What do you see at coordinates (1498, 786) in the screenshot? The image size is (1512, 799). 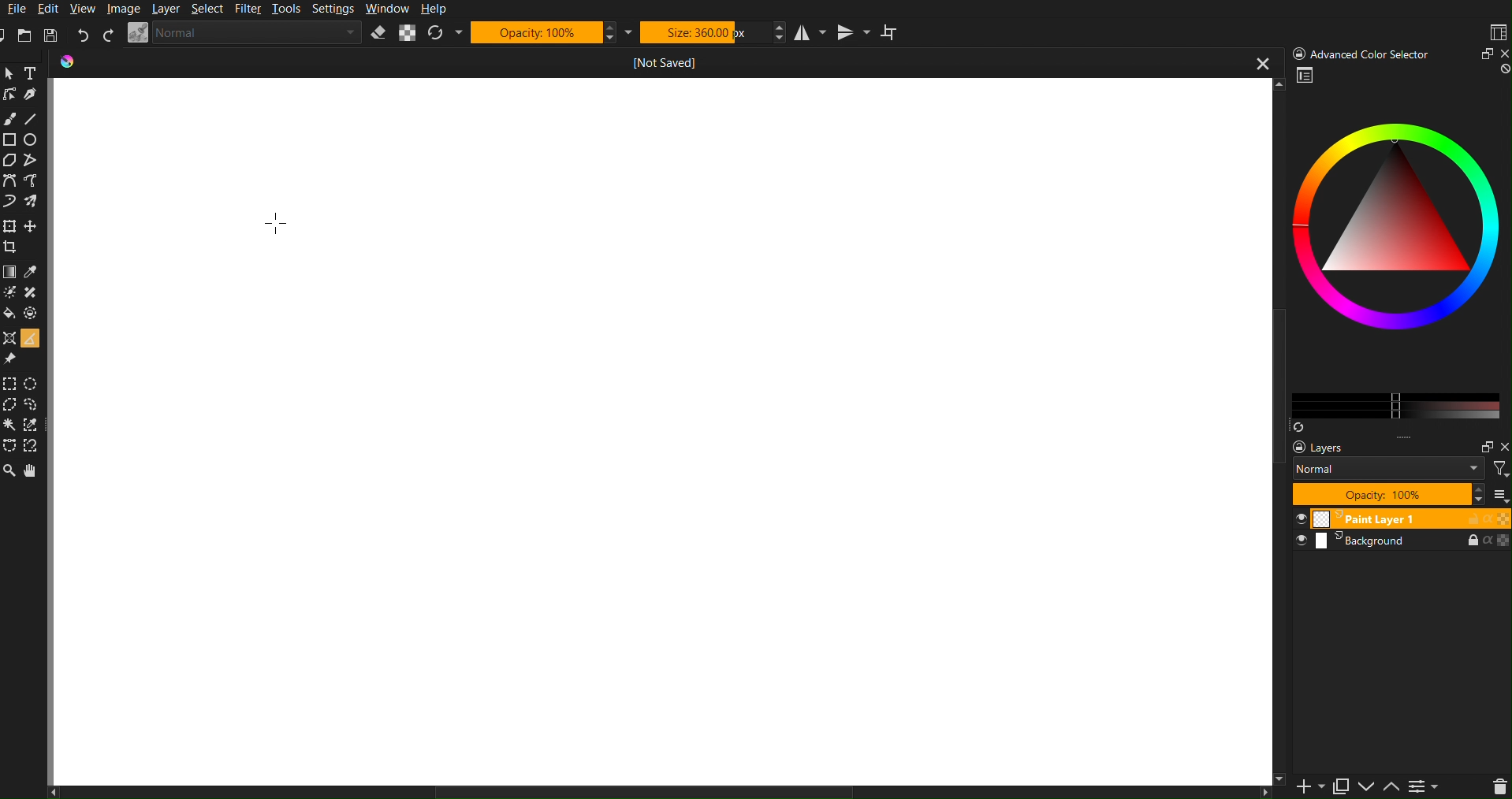 I see `Delete` at bounding box center [1498, 786].